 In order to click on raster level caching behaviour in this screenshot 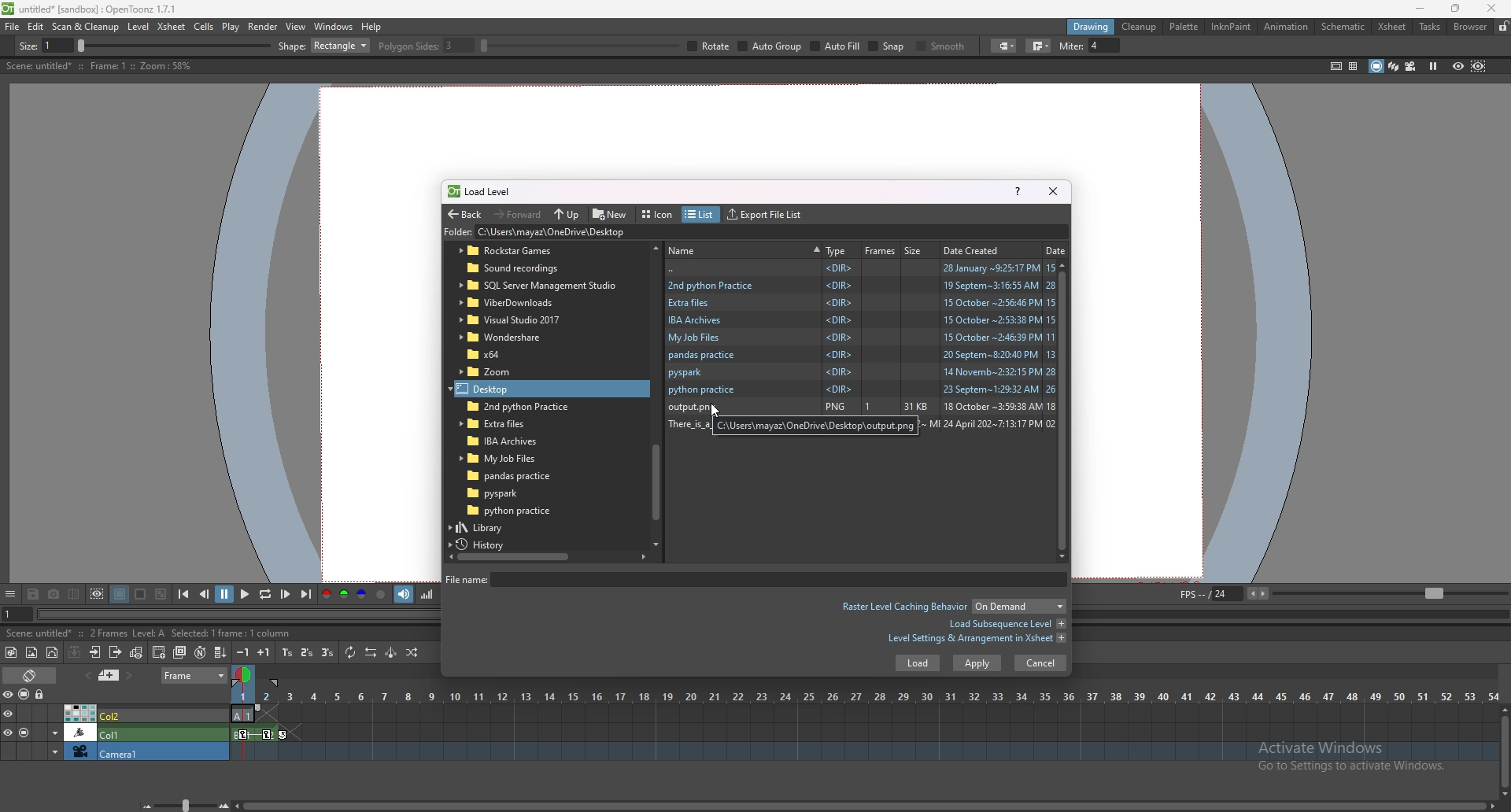, I will do `click(952, 608)`.